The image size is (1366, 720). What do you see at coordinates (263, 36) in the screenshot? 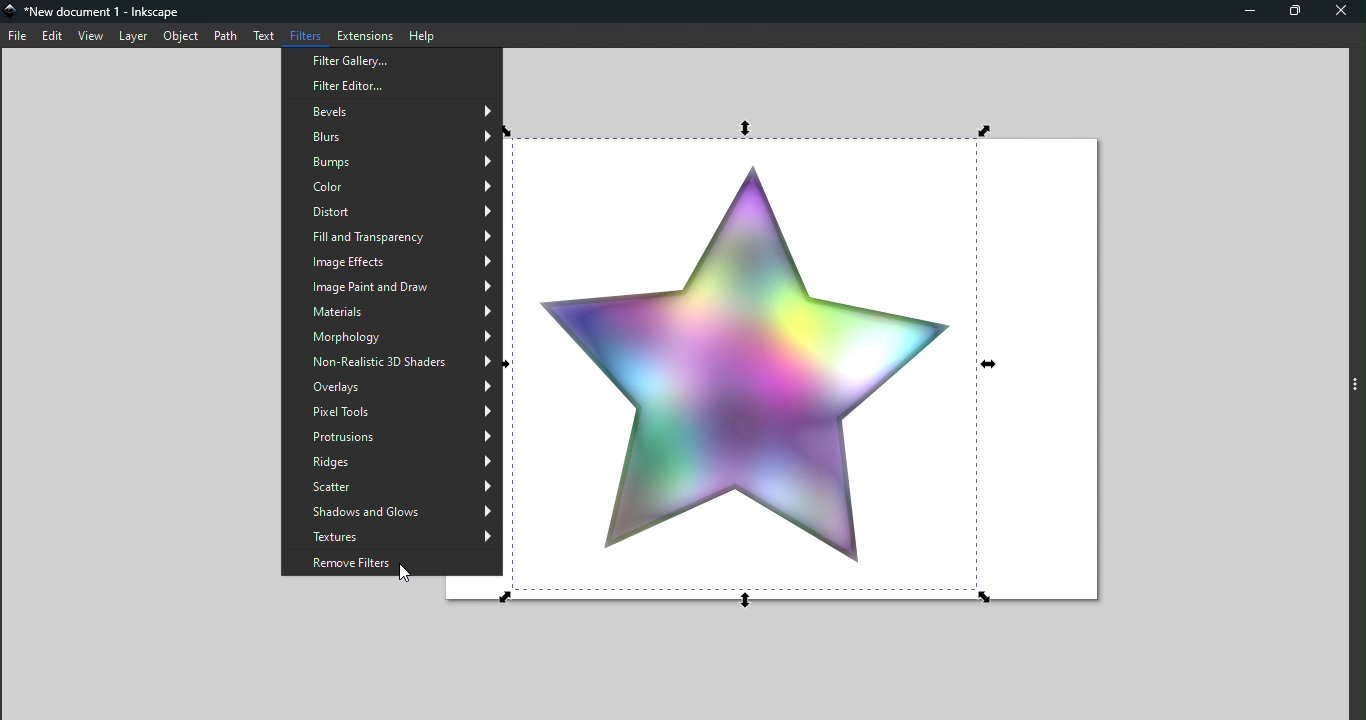
I see `Text` at bounding box center [263, 36].